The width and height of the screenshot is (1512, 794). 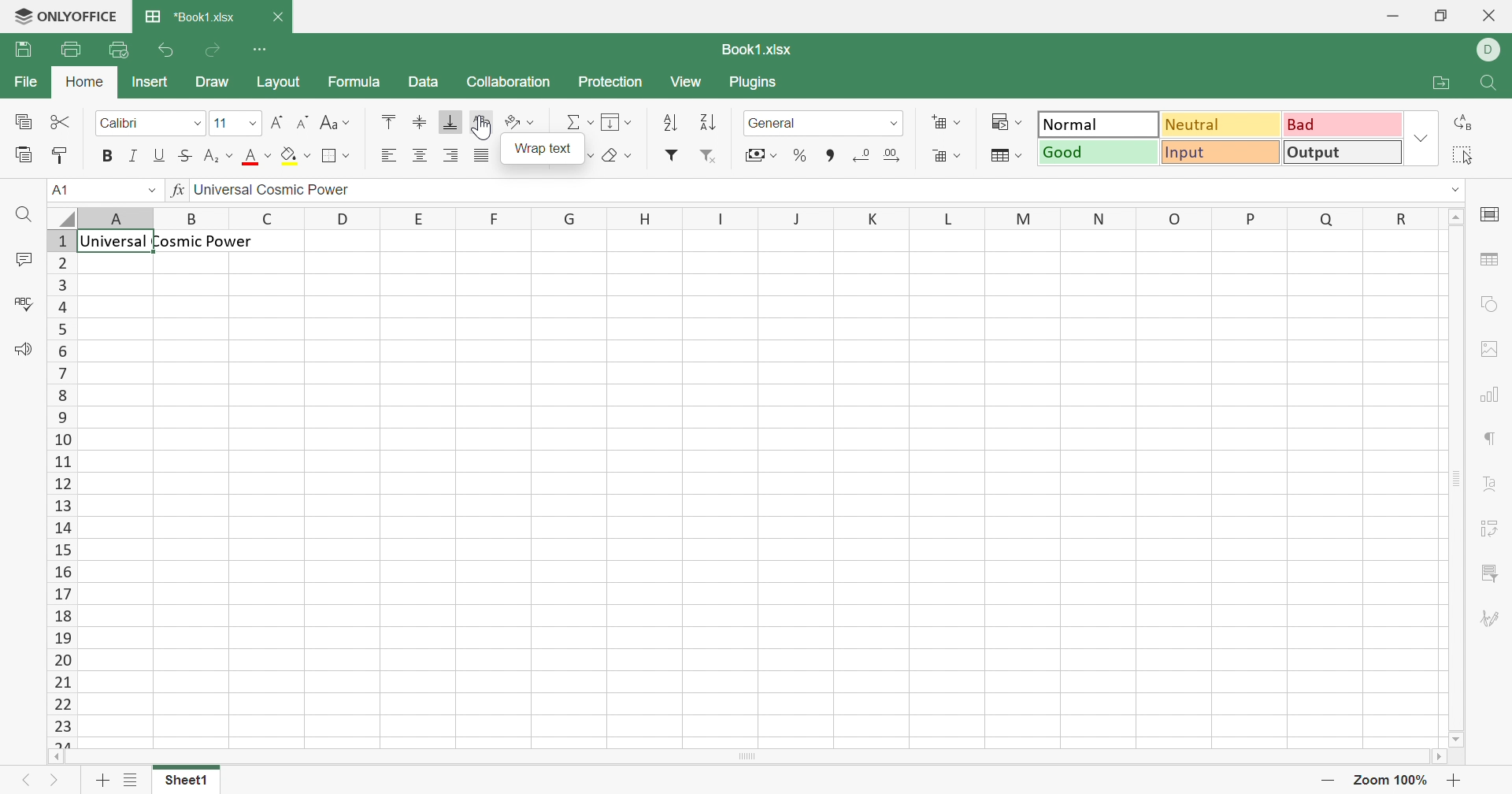 I want to click on Find, so click(x=1488, y=86).